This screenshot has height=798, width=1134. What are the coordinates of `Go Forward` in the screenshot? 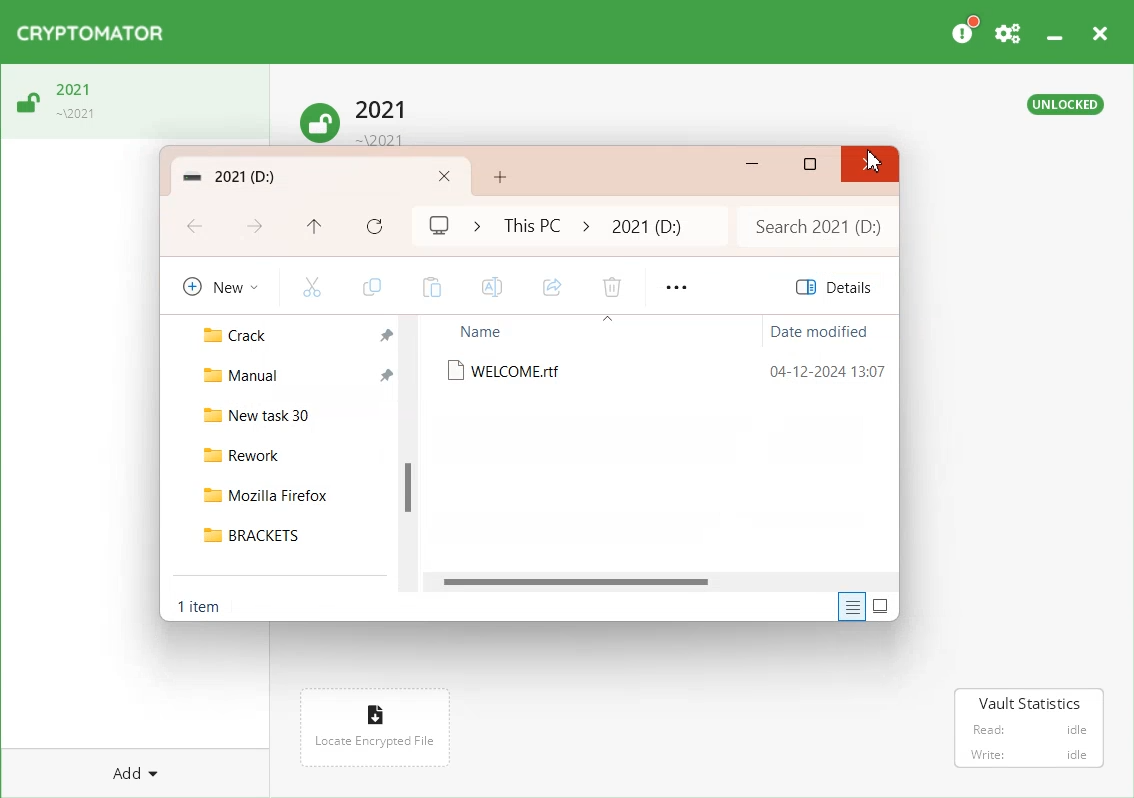 It's located at (256, 227).